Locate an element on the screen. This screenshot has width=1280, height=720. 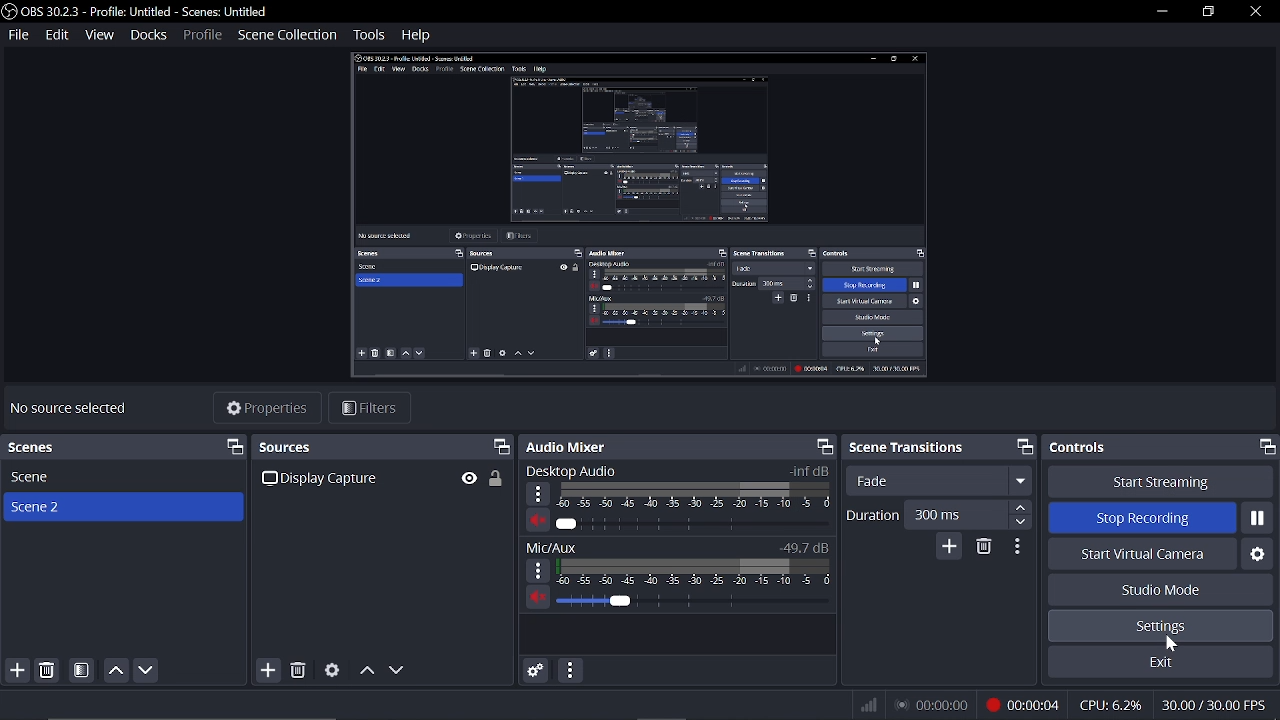
30.00/30.00 FPS is located at coordinates (1218, 705).